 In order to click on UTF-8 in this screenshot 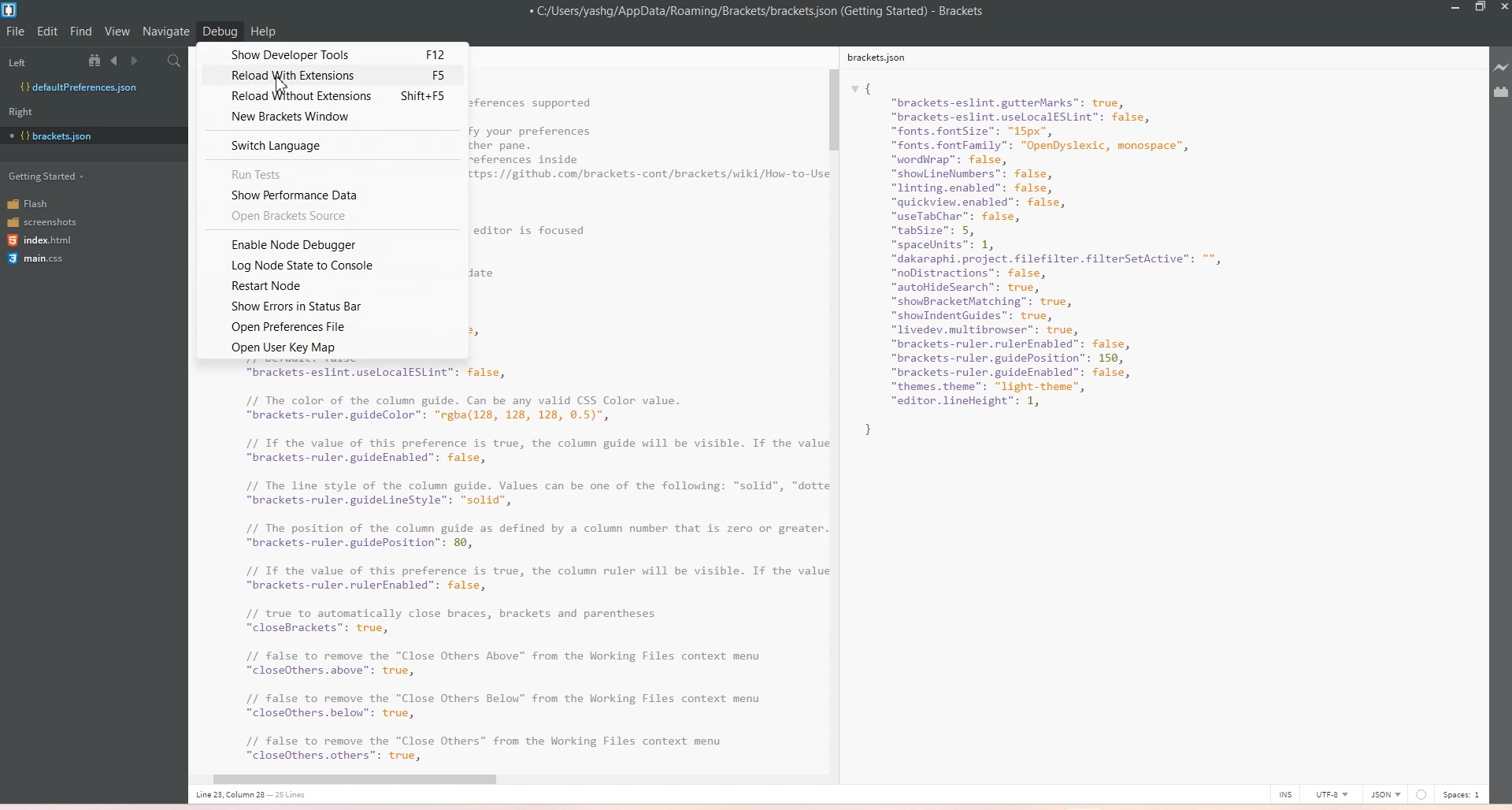, I will do `click(1331, 793)`.